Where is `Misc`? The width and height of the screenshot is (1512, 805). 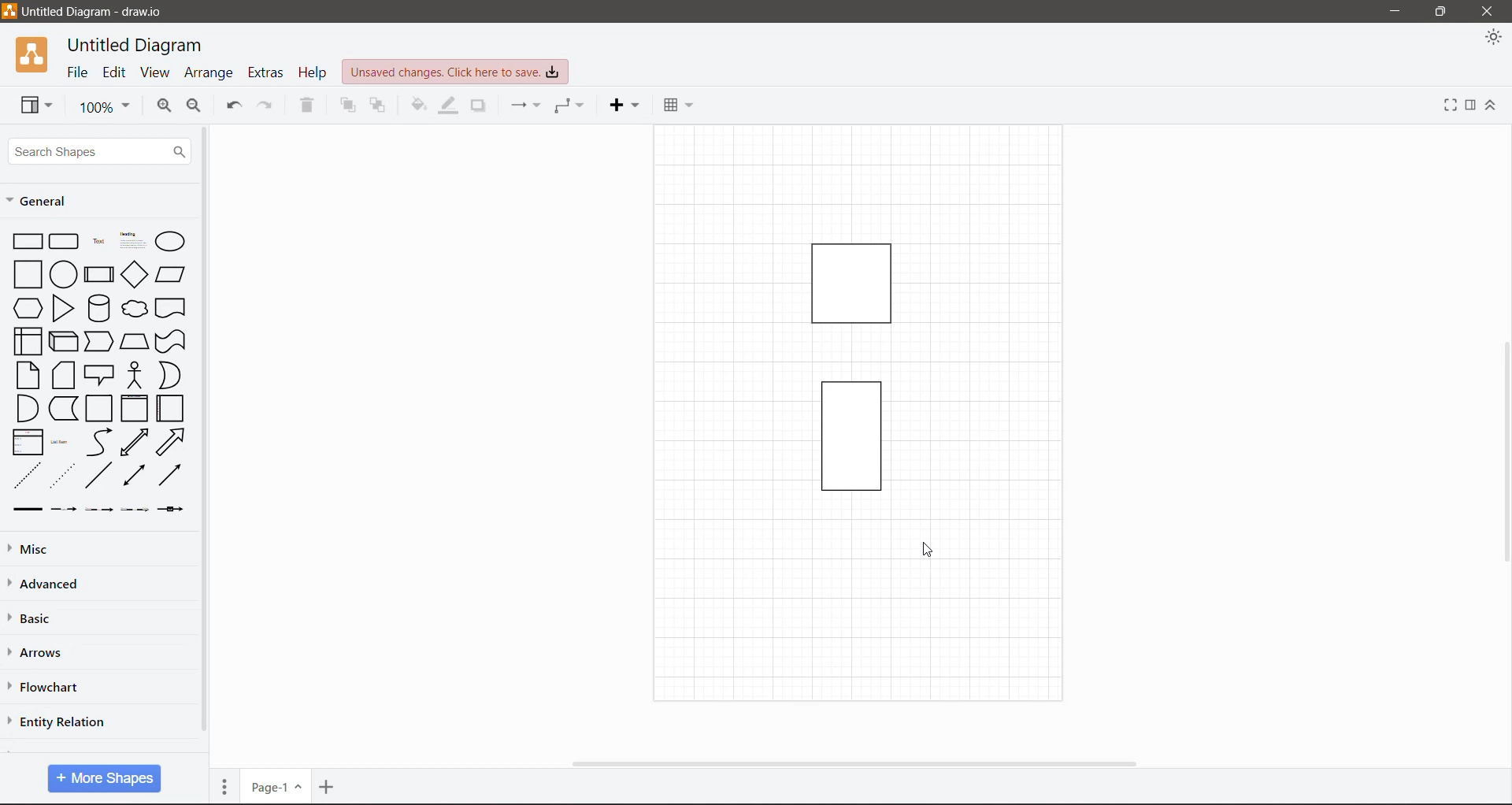 Misc is located at coordinates (34, 551).